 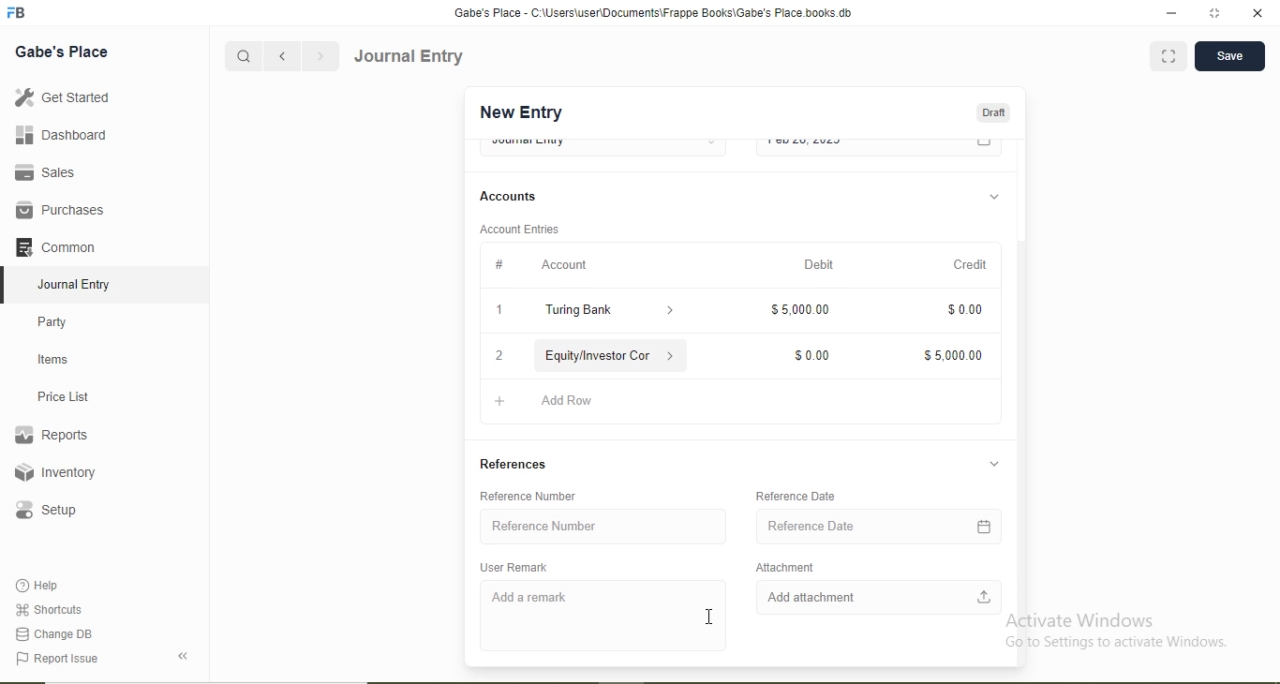 I want to click on Journal Entry, so click(x=76, y=285).